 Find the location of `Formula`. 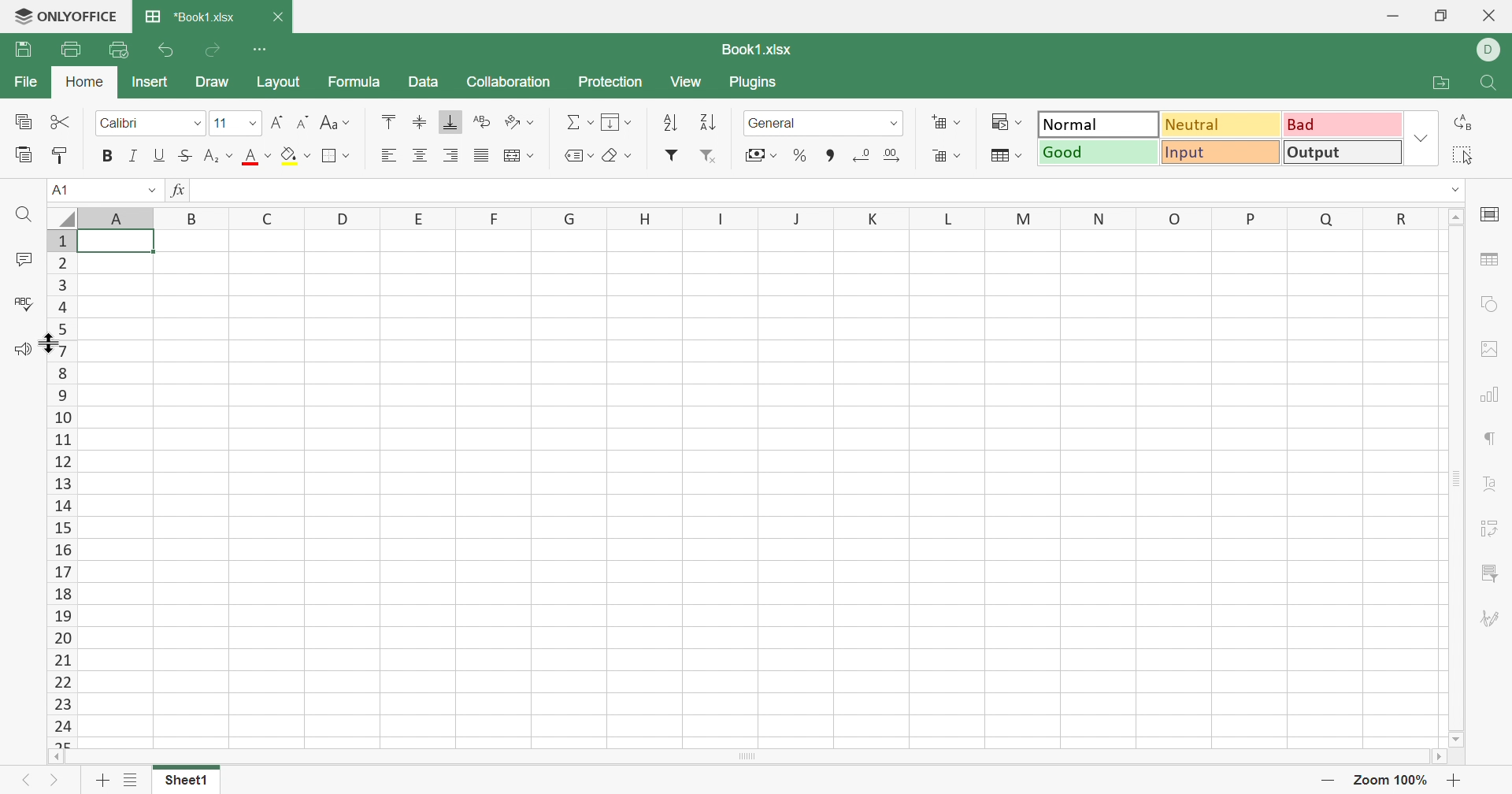

Formula is located at coordinates (355, 79).